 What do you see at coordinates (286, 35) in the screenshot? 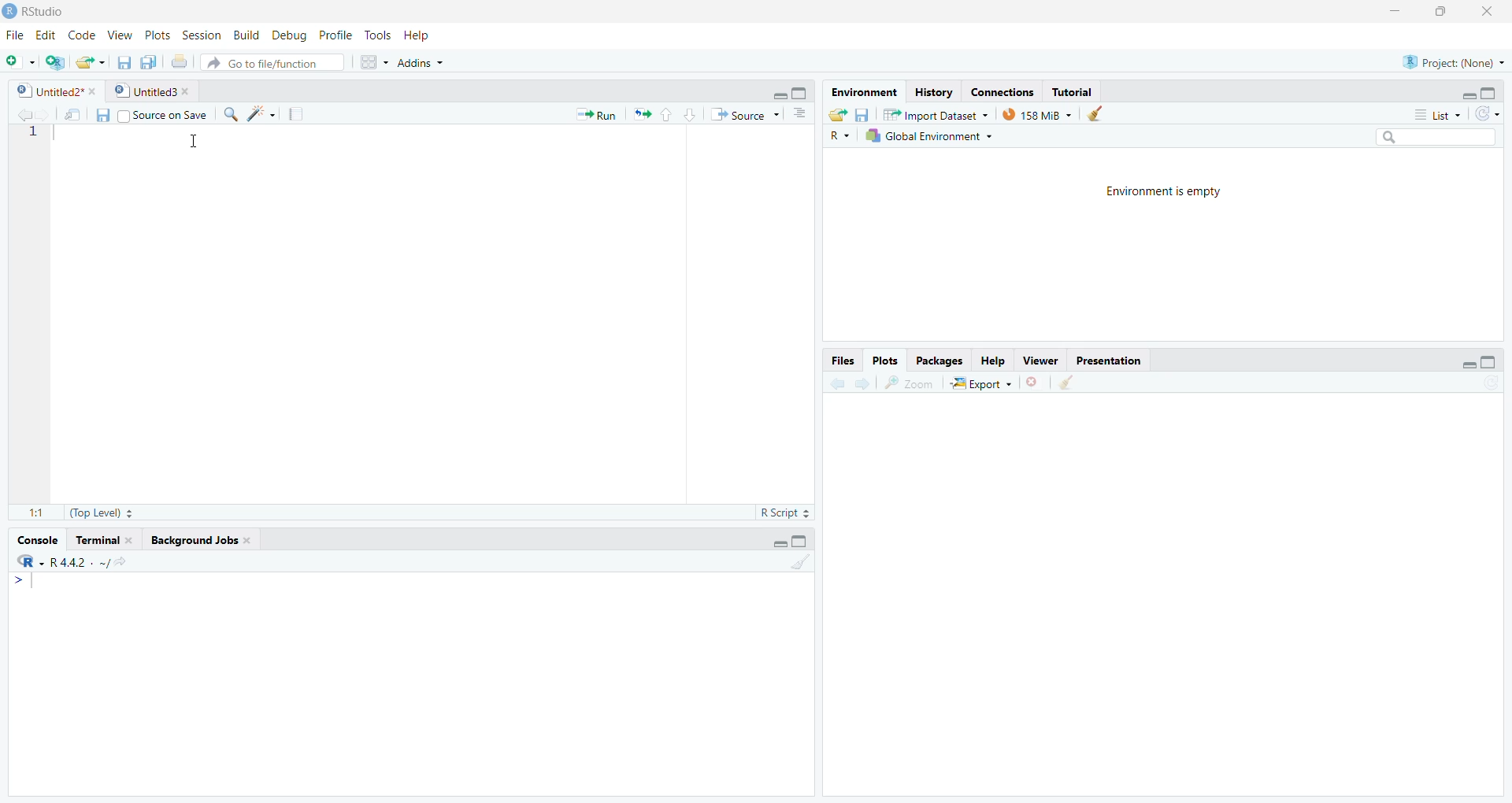
I see `Debug` at bounding box center [286, 35].